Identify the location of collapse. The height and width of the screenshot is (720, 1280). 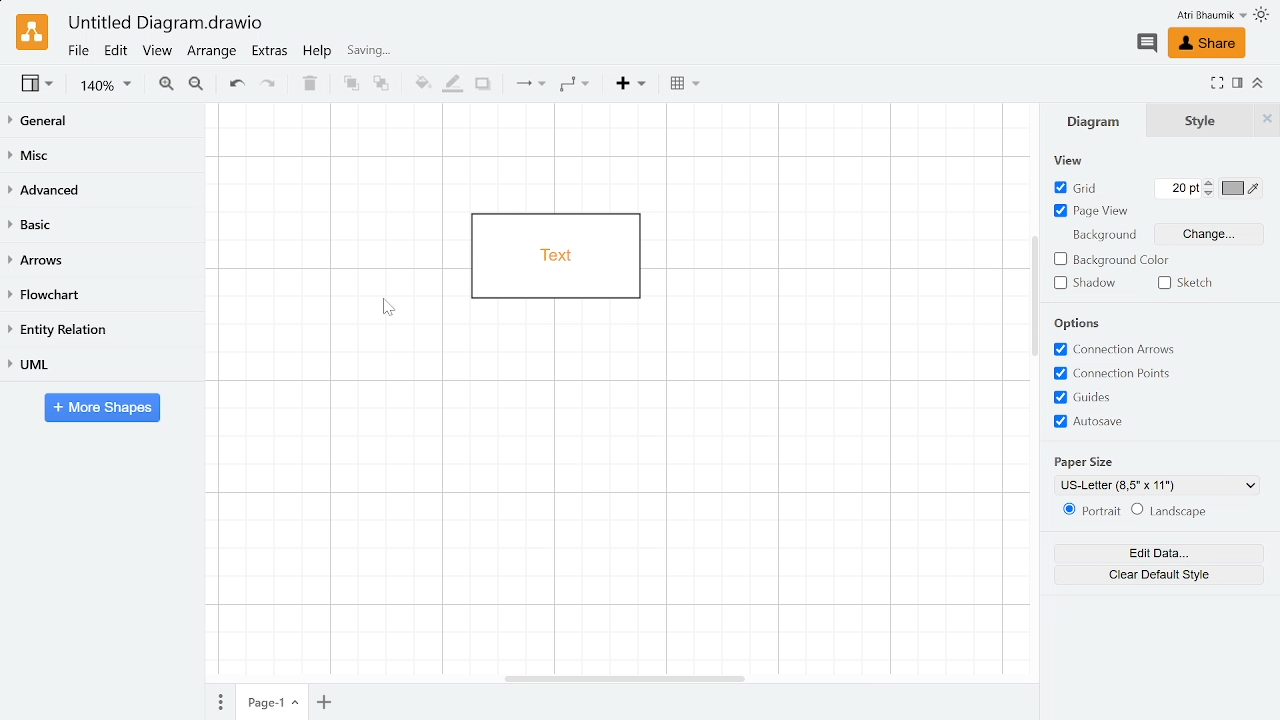
(1258, 82).